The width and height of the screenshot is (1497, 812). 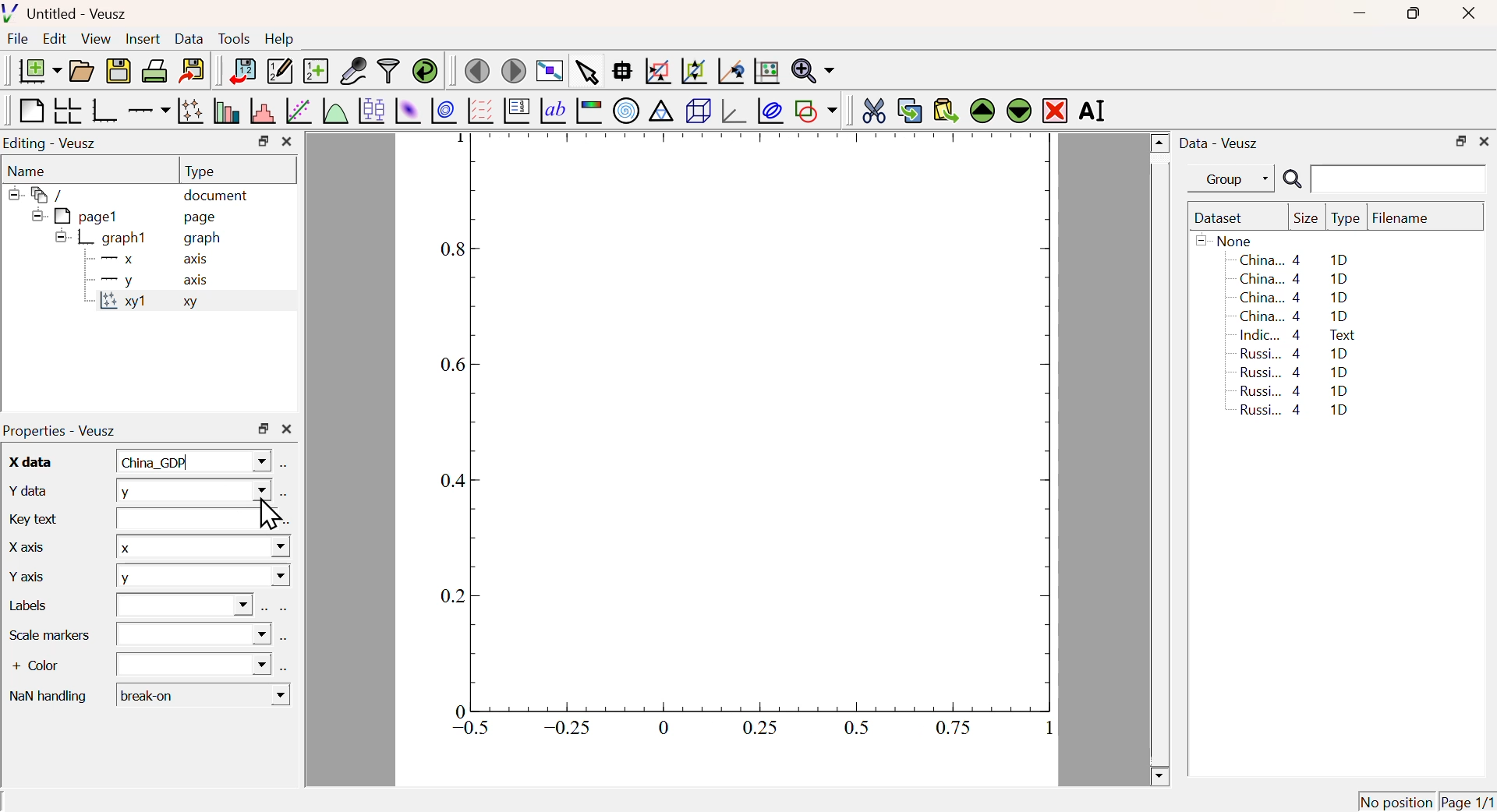 What do you see at coordinates (192, 518) in the screenshot?
I see `Input` at bounding box center [192, 518].